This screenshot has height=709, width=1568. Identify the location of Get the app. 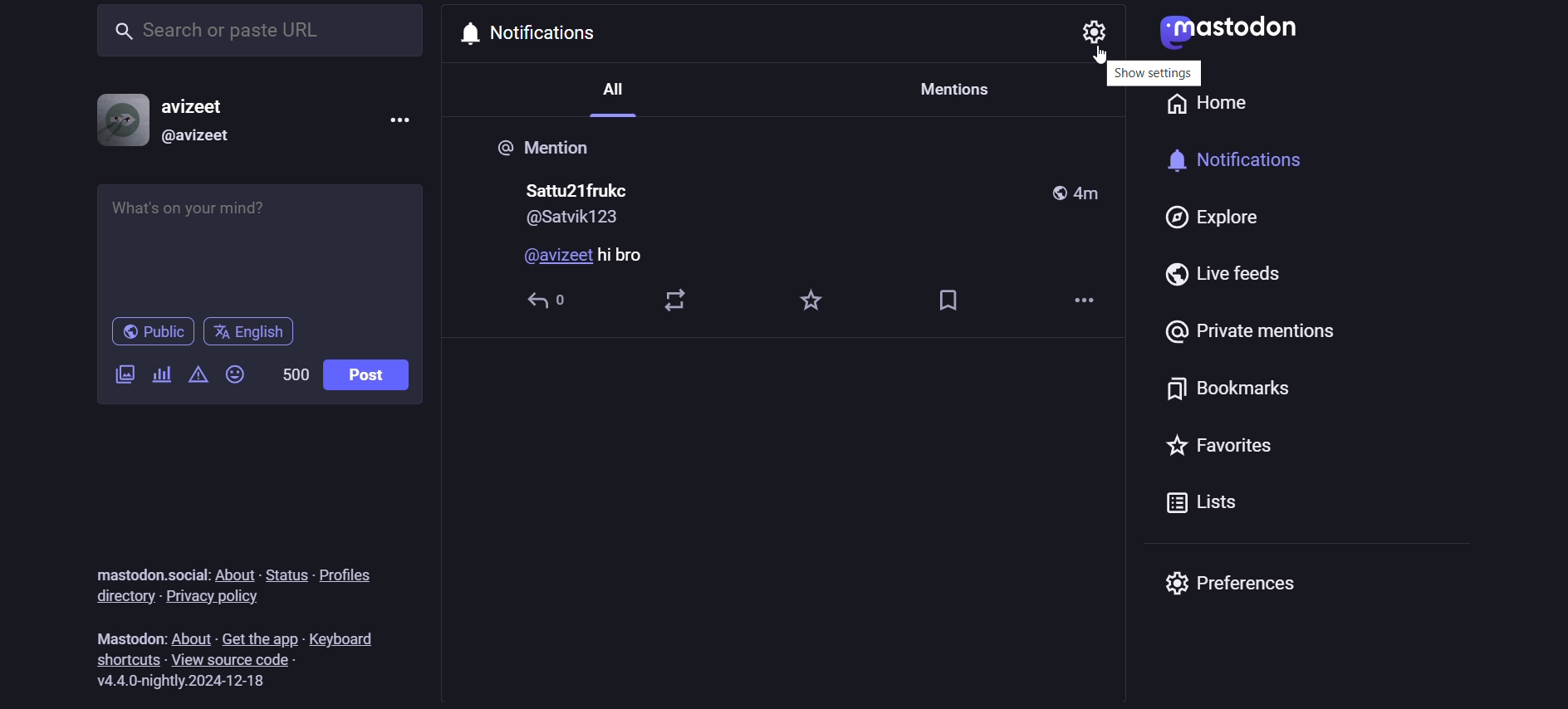
(261, 638).